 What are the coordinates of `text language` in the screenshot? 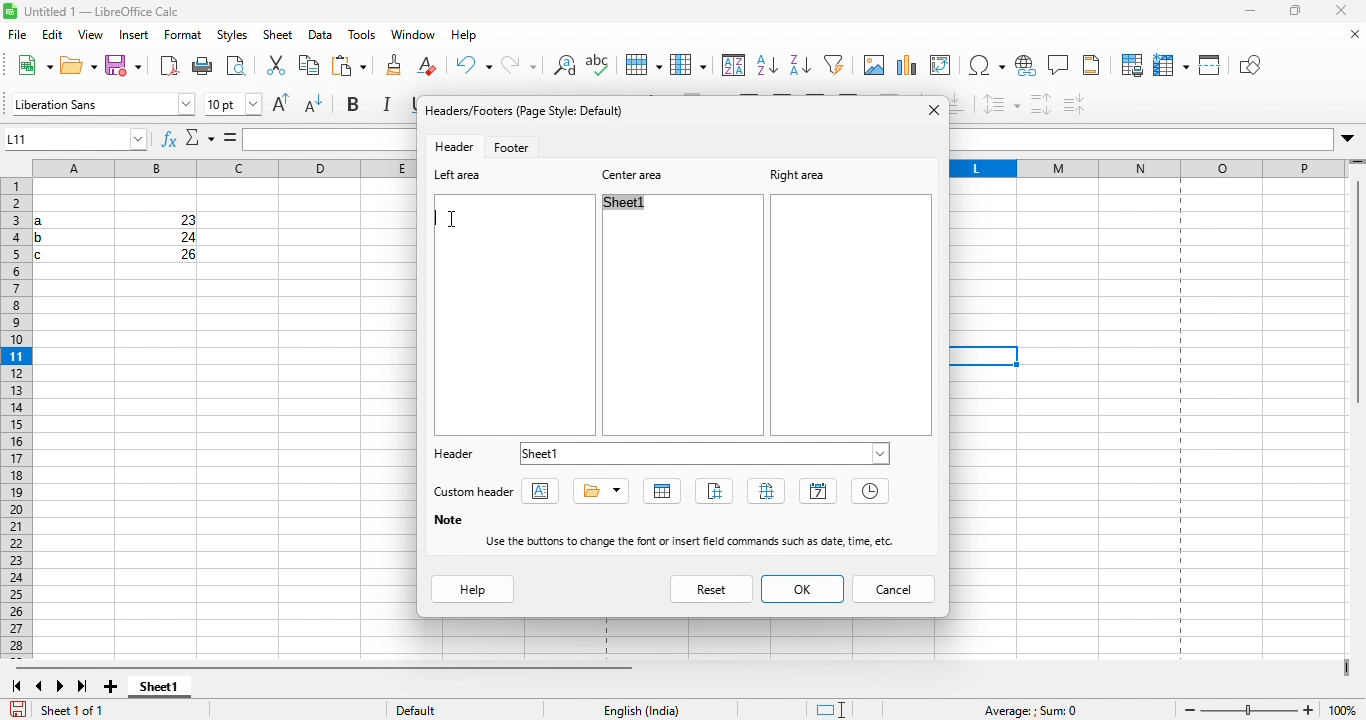 It's located at (652, 708).